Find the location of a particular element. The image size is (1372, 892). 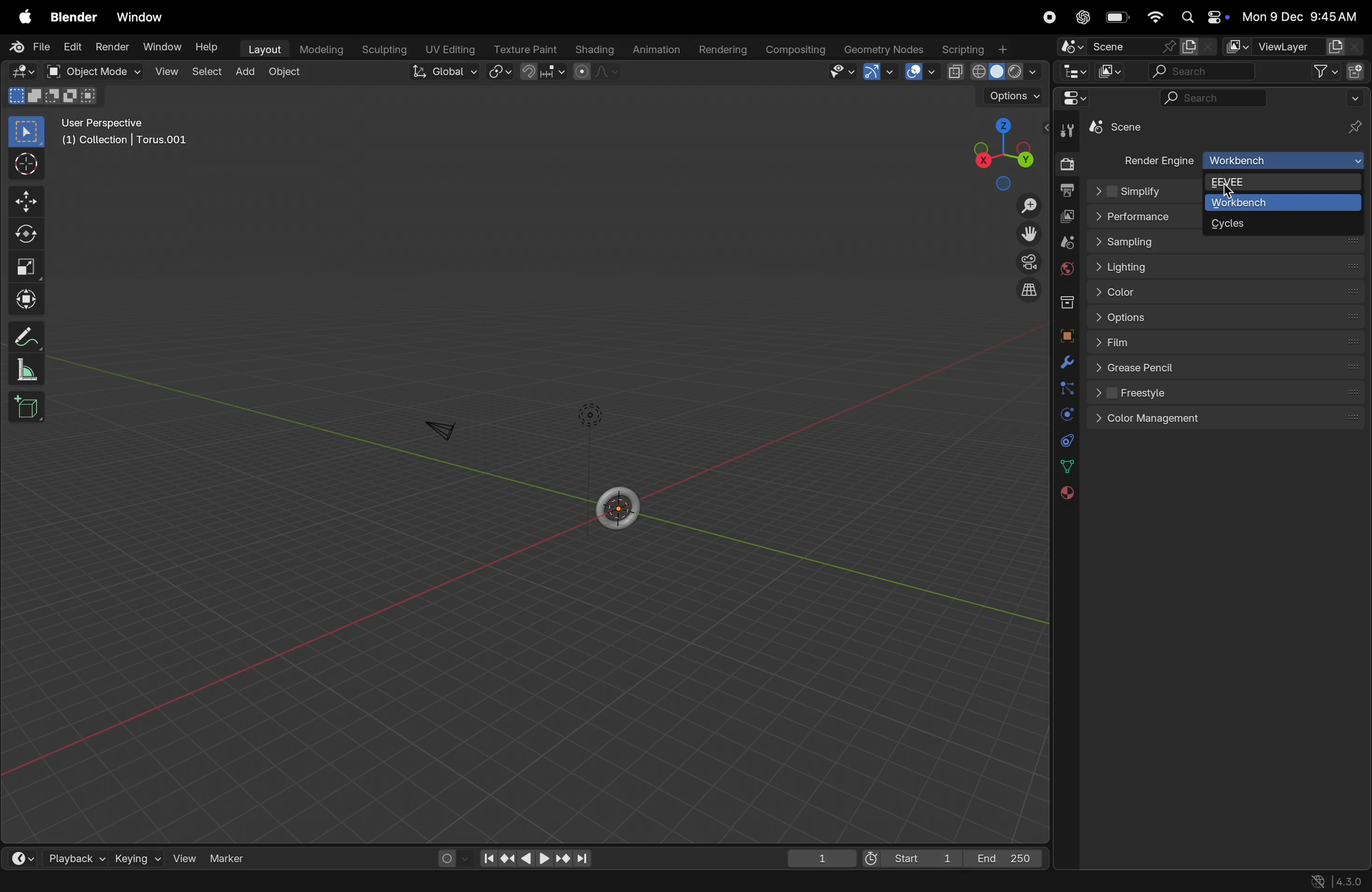

1 is located at coordinates (822, 860).